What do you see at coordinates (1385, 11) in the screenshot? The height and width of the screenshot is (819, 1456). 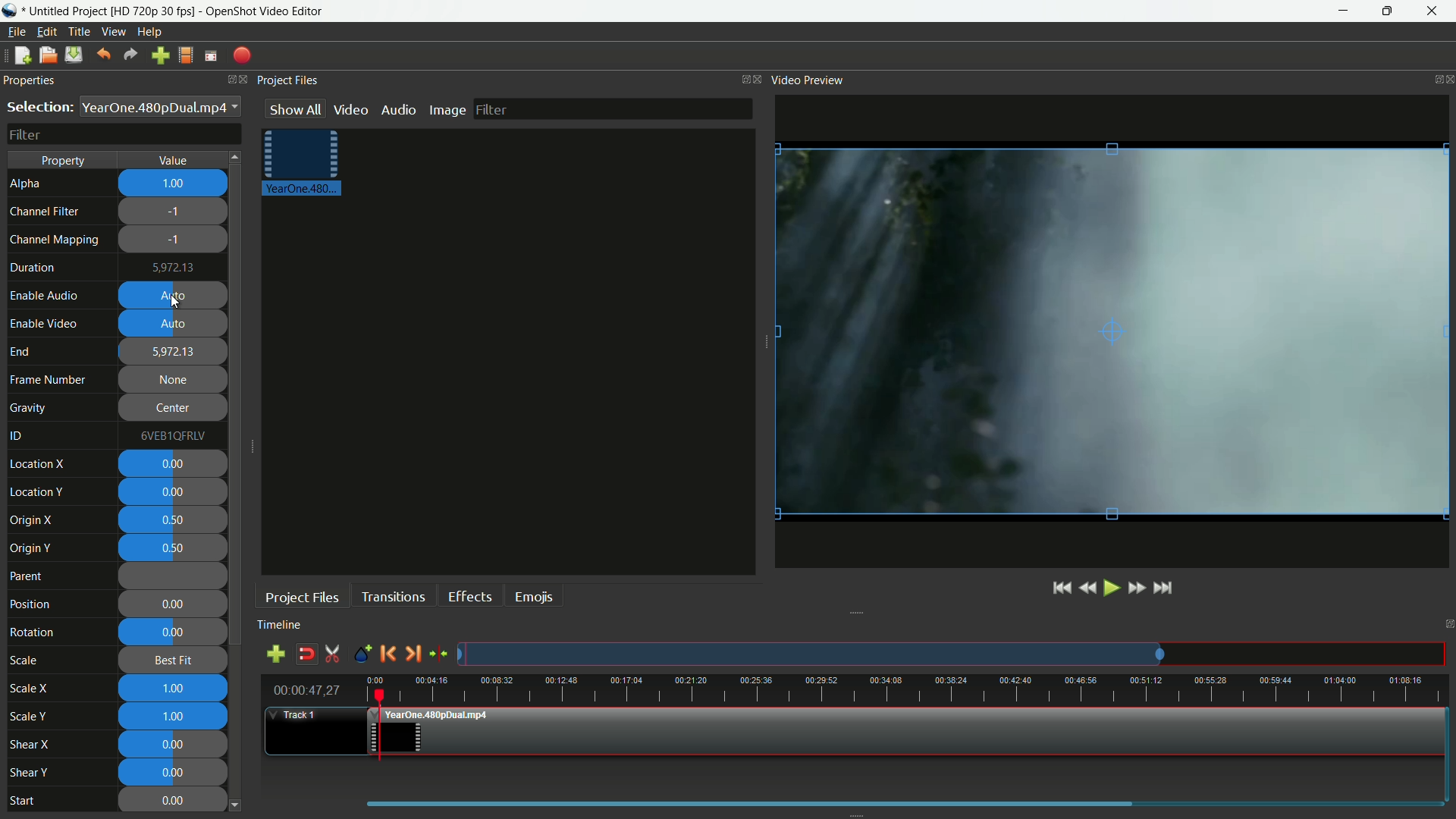 I see `maximize` at bounding box center [1385, 11].